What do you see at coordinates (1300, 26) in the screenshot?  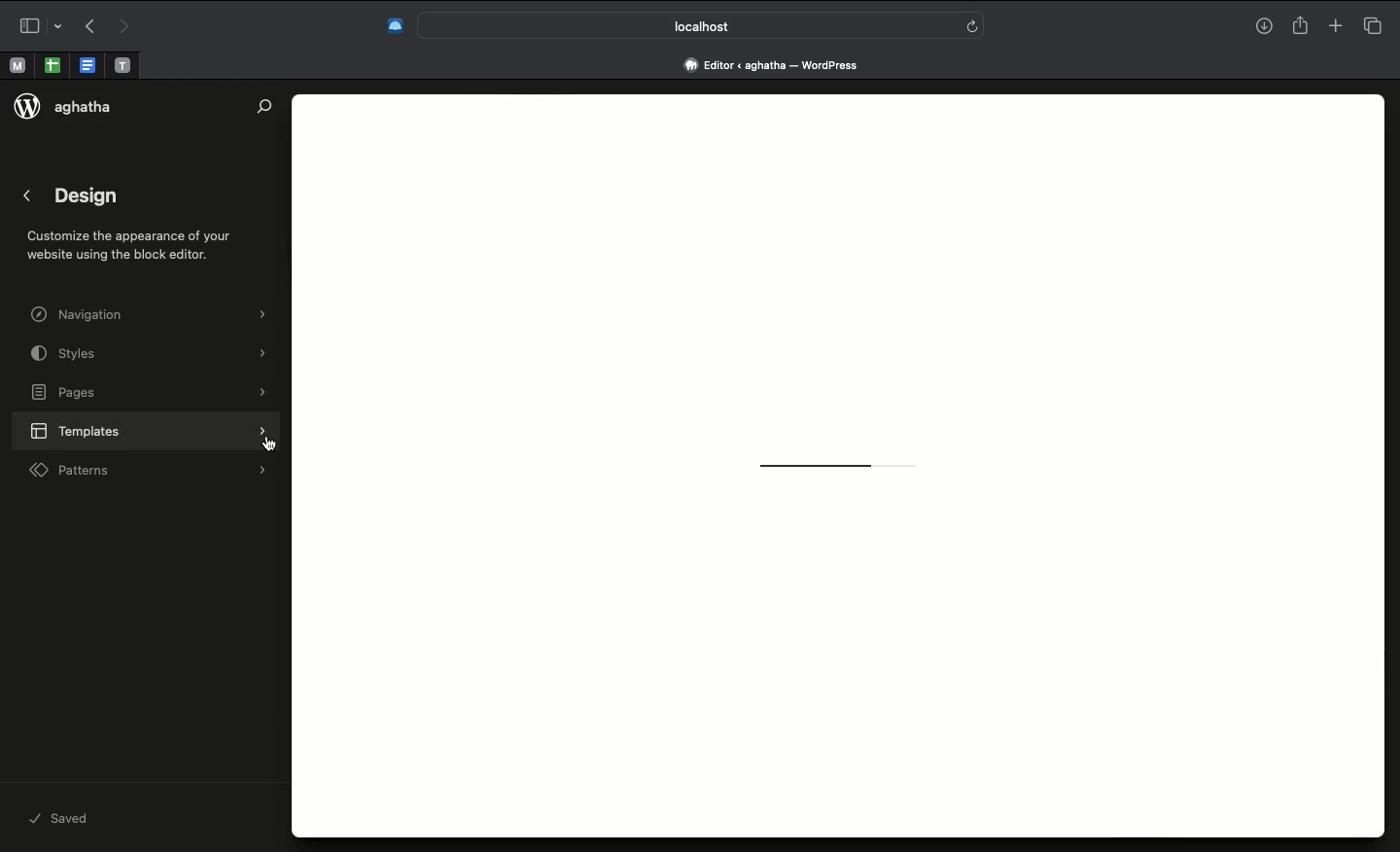 I see `Share` at bounding box center [1300, 26].